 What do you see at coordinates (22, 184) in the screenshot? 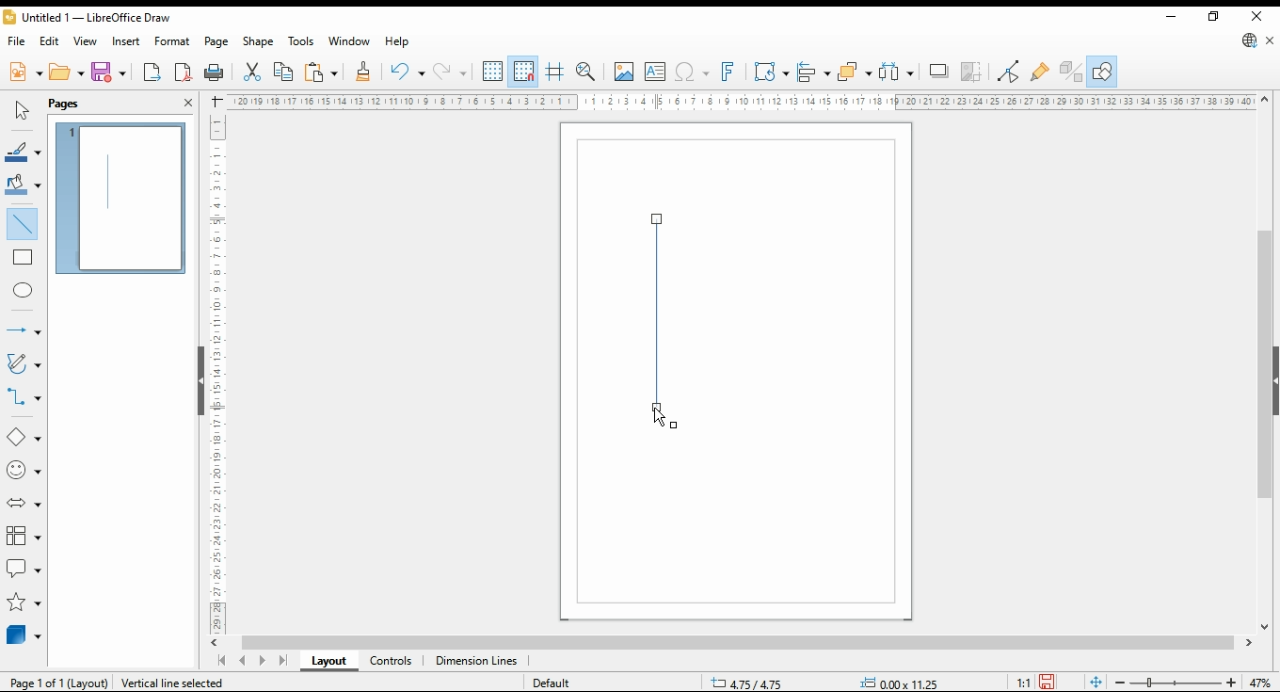
I see `fill color` at bounding box center [22, 184].